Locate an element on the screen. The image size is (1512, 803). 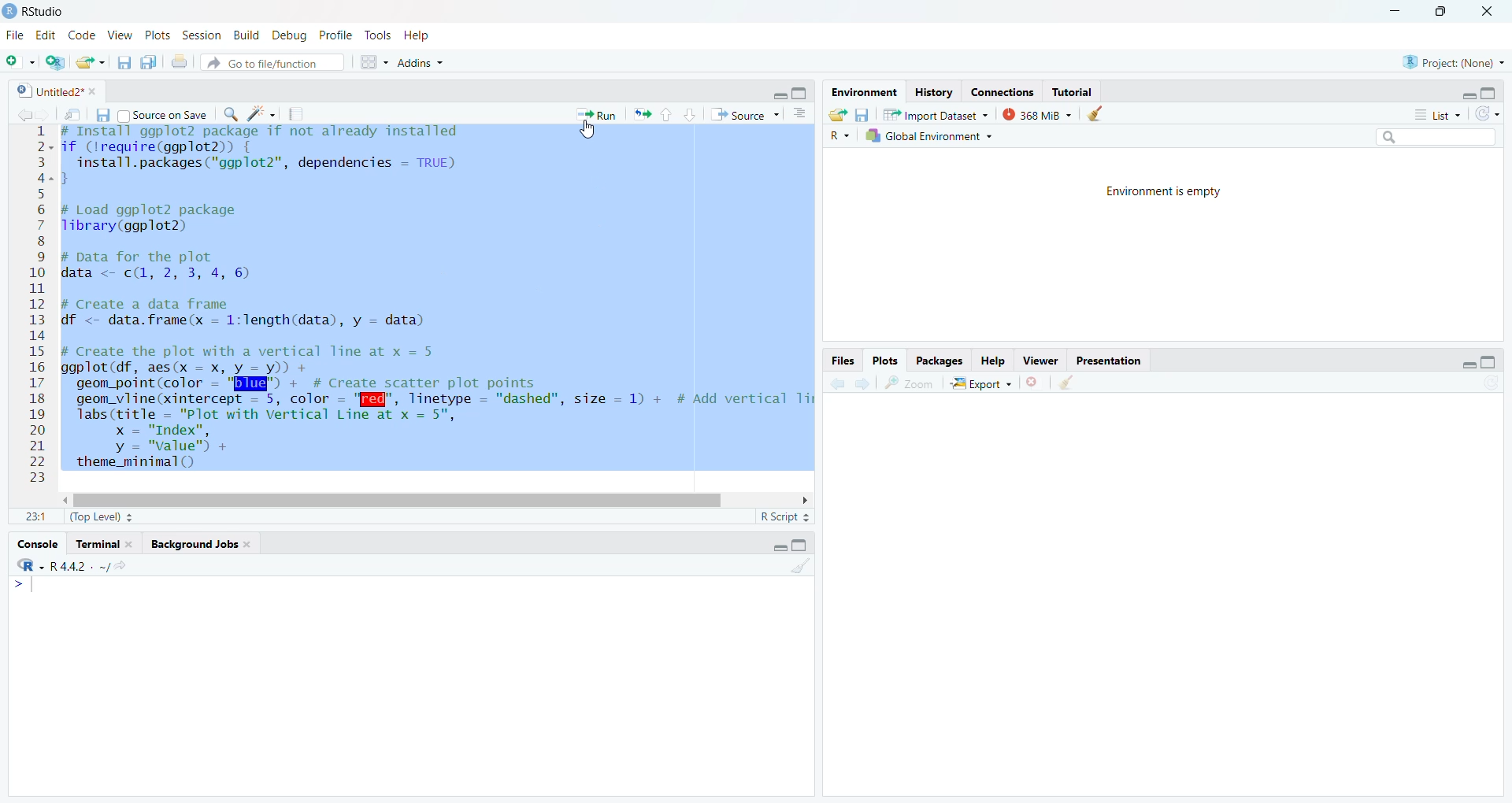
export is located at coordinates (93, 63).